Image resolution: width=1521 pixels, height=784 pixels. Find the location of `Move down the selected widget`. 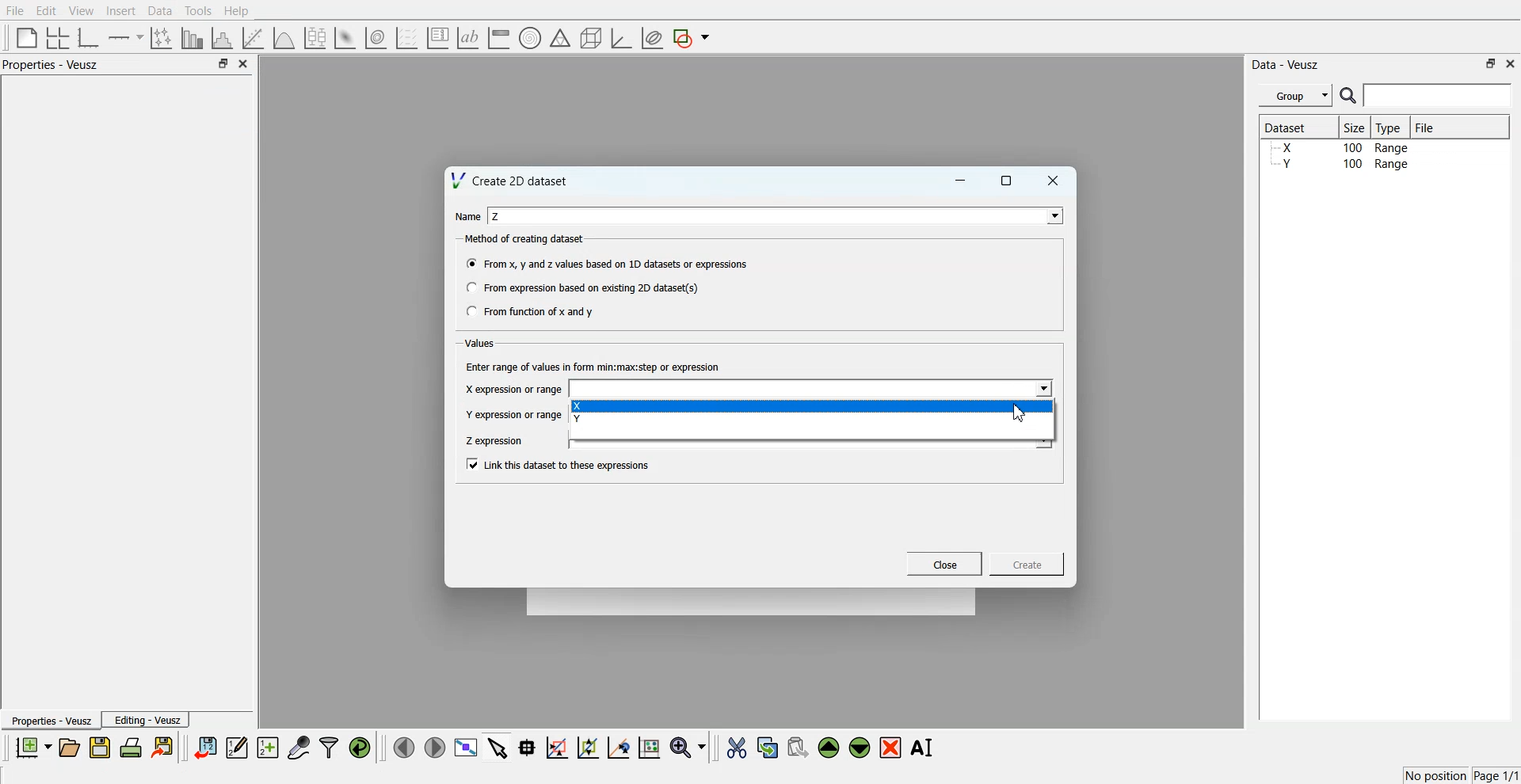

Move down the selected widget is located at coordinates (860, 748).